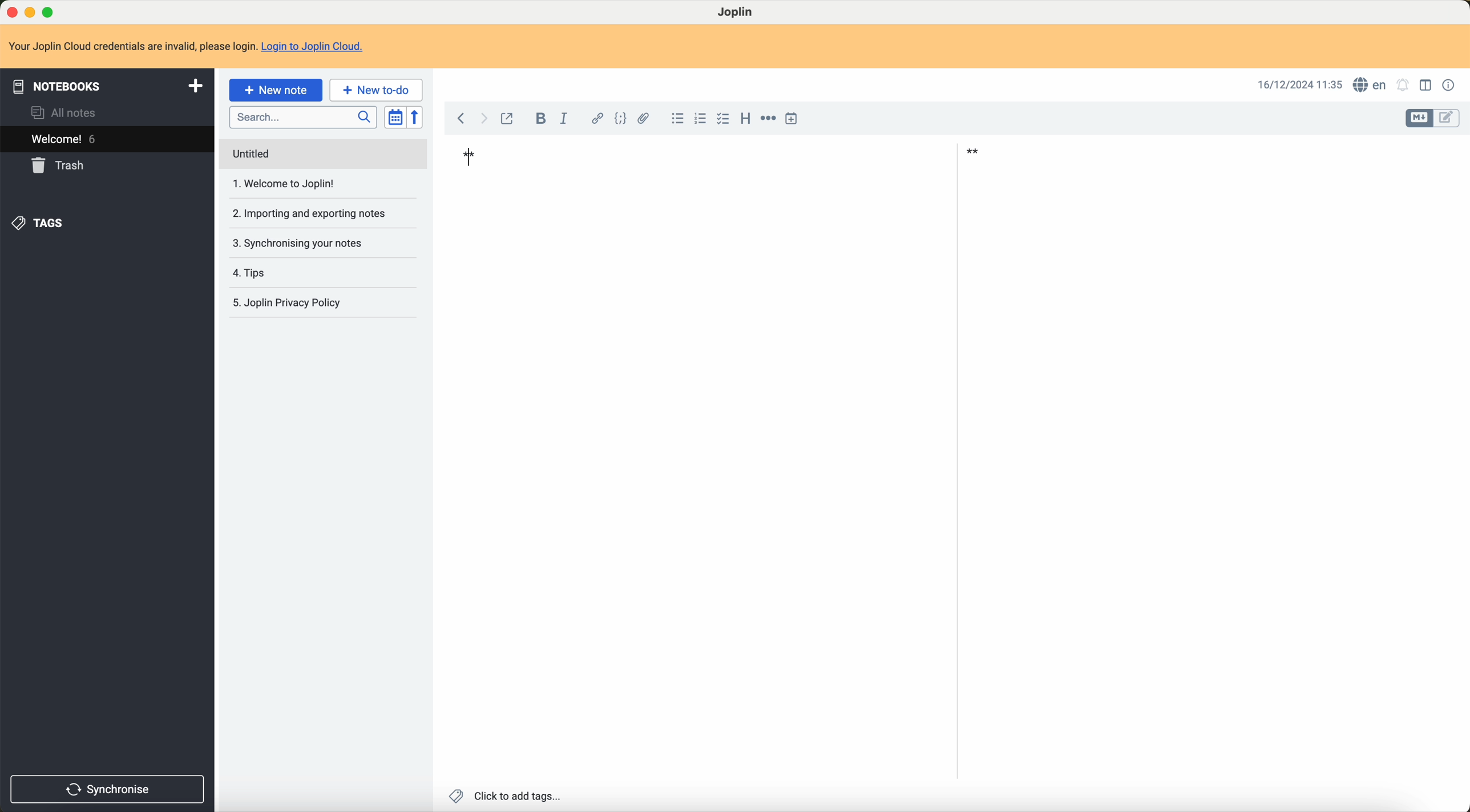 Image resolution: width=1470 pixels, height=812 pixels. What do you see at coordinates (42, 223) in the screenshot?
I see `tags` at bounding box center [42, 223].